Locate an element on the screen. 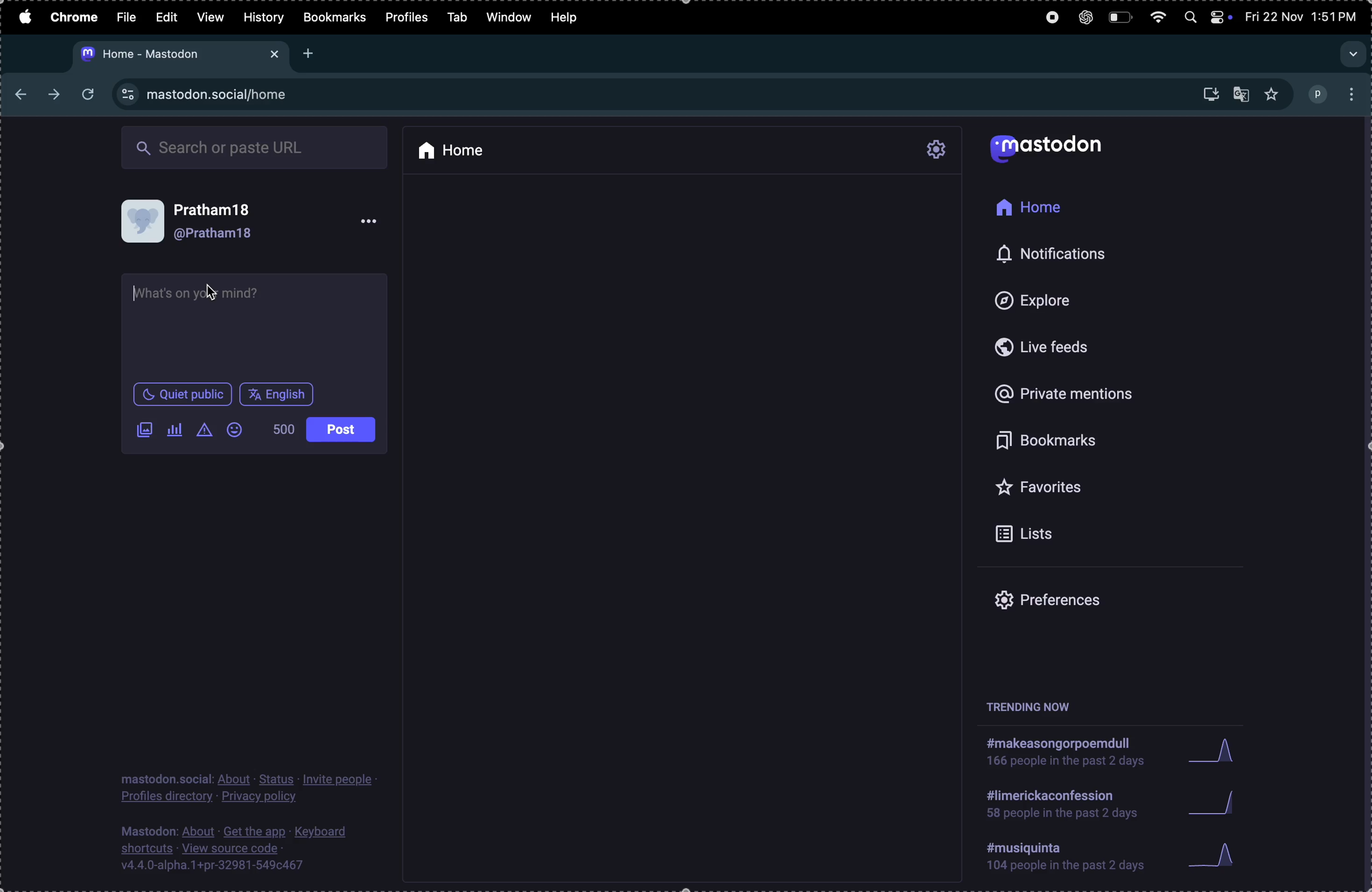 This screenshot has height=892, width=1372. explore is located at coordinates (1069, 297).